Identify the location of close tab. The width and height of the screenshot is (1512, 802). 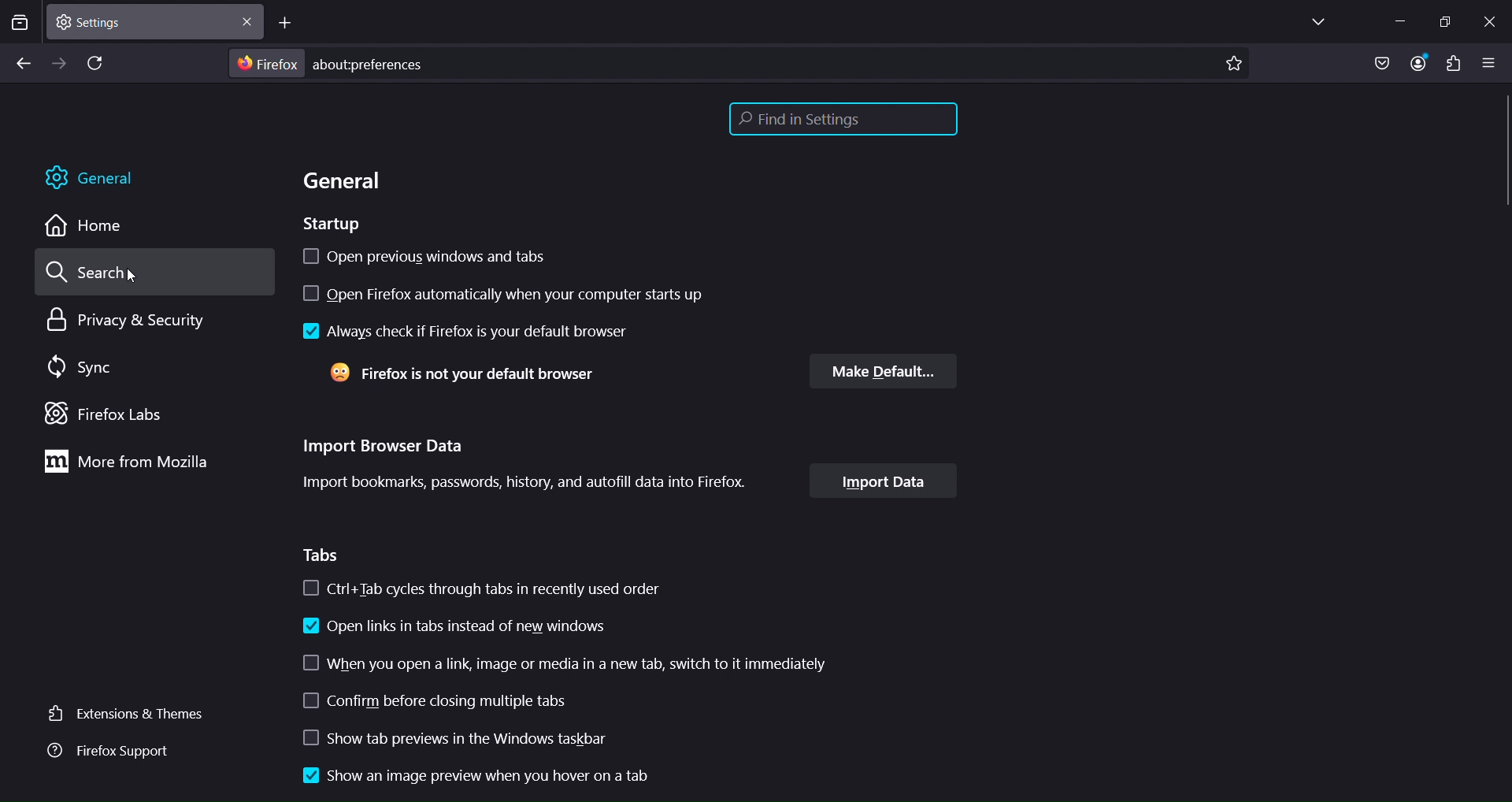
(143, 20).